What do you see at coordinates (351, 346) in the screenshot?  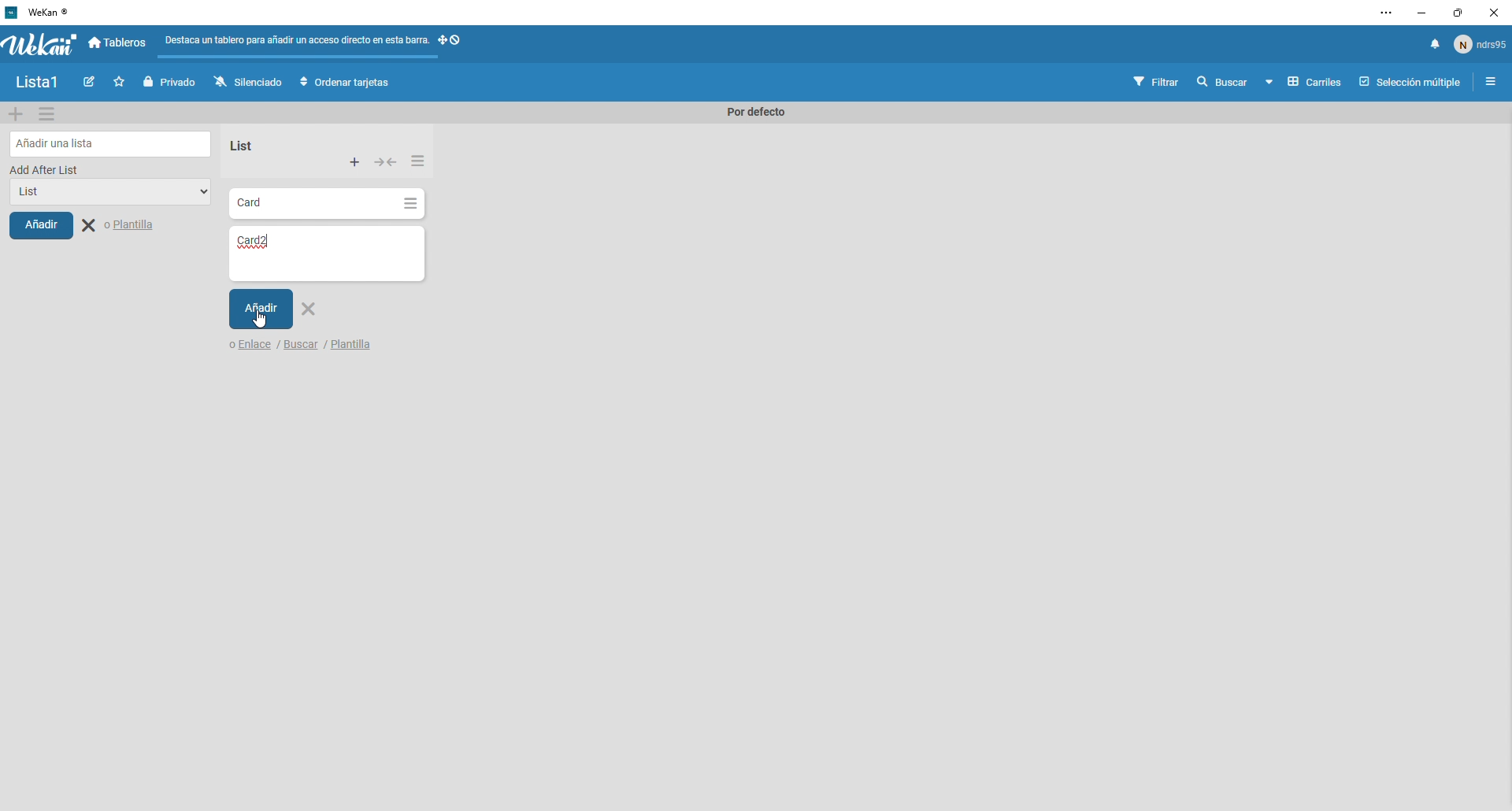 I see `Template` at bounding box center [351, 346].